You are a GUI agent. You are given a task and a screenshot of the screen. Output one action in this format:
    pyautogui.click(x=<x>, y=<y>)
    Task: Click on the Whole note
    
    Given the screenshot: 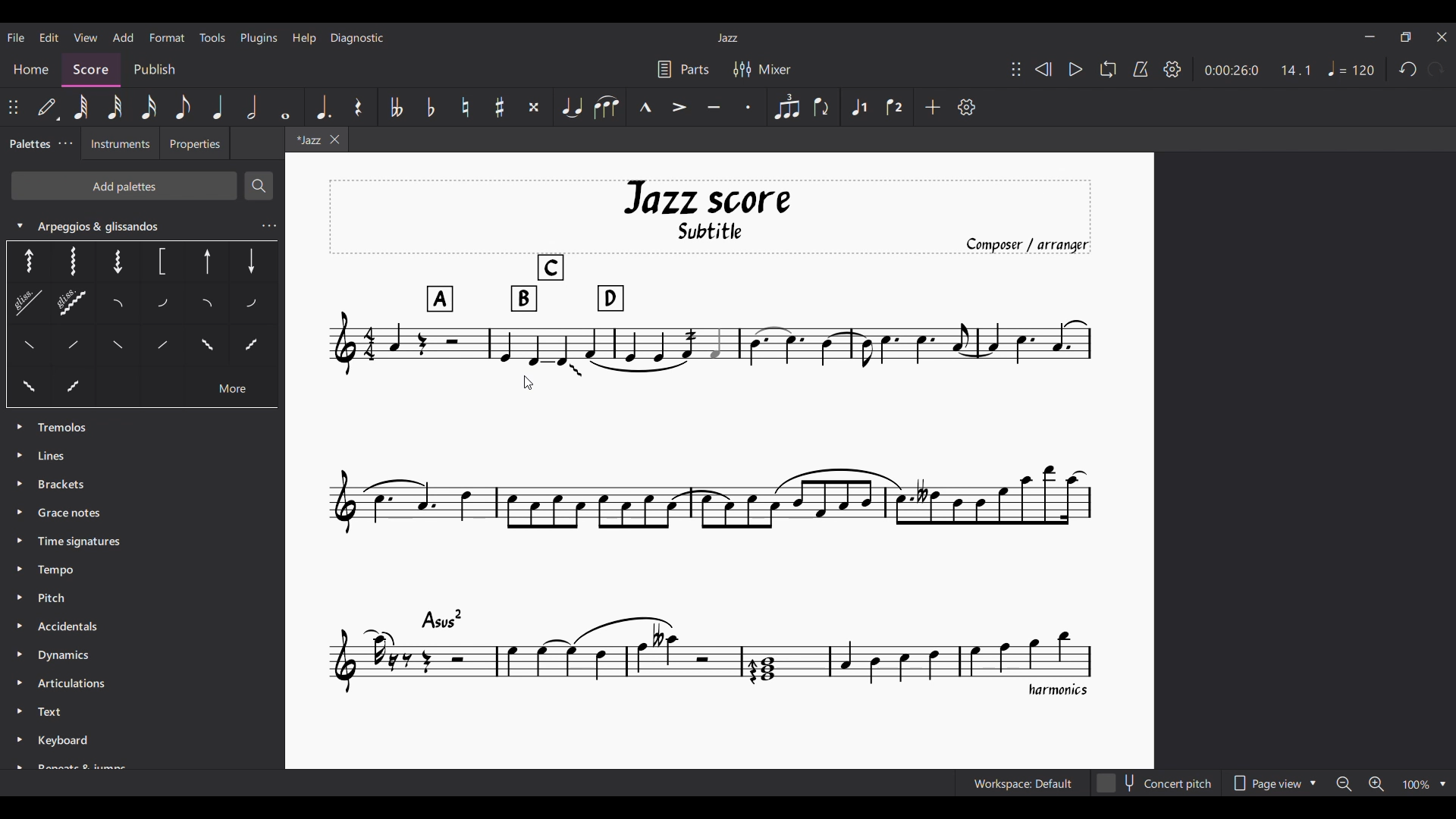 What is the action you would take?
    pyautogui.click(x=286, y=107)
    